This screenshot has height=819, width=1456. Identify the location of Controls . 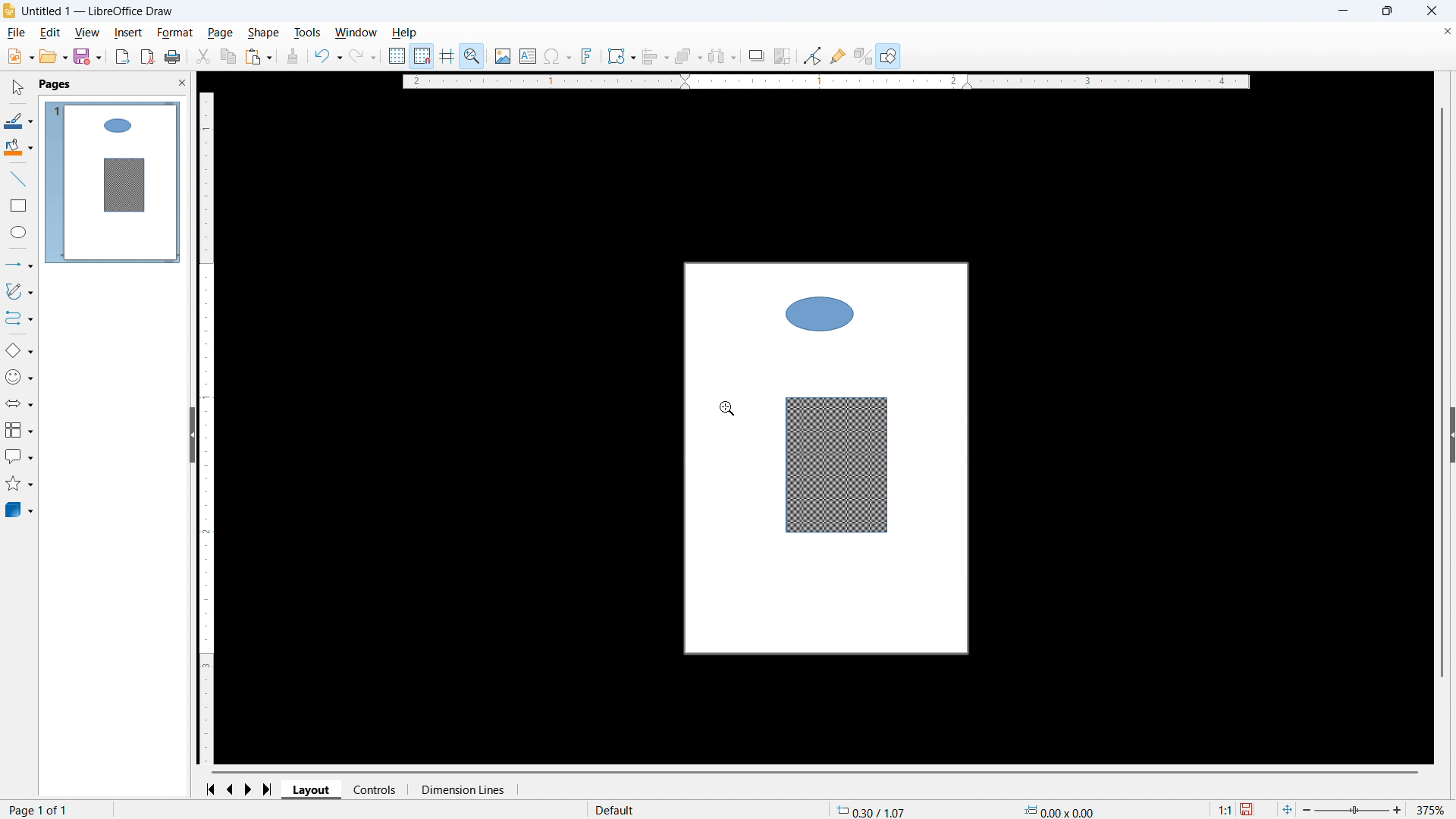
(376, 790).